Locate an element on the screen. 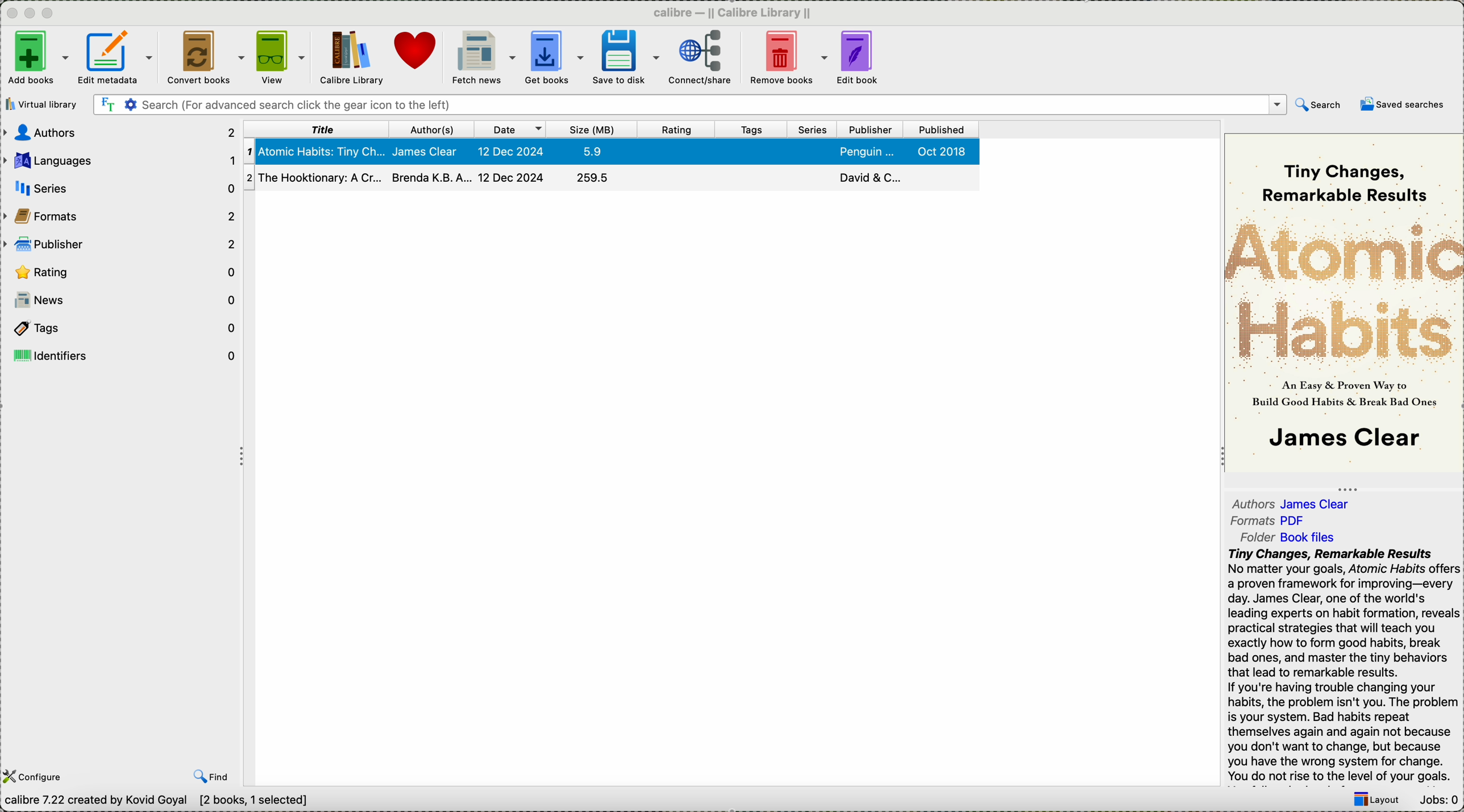 This screenshot has width=1464, height=812. formats is located at coordinates (122, 216).